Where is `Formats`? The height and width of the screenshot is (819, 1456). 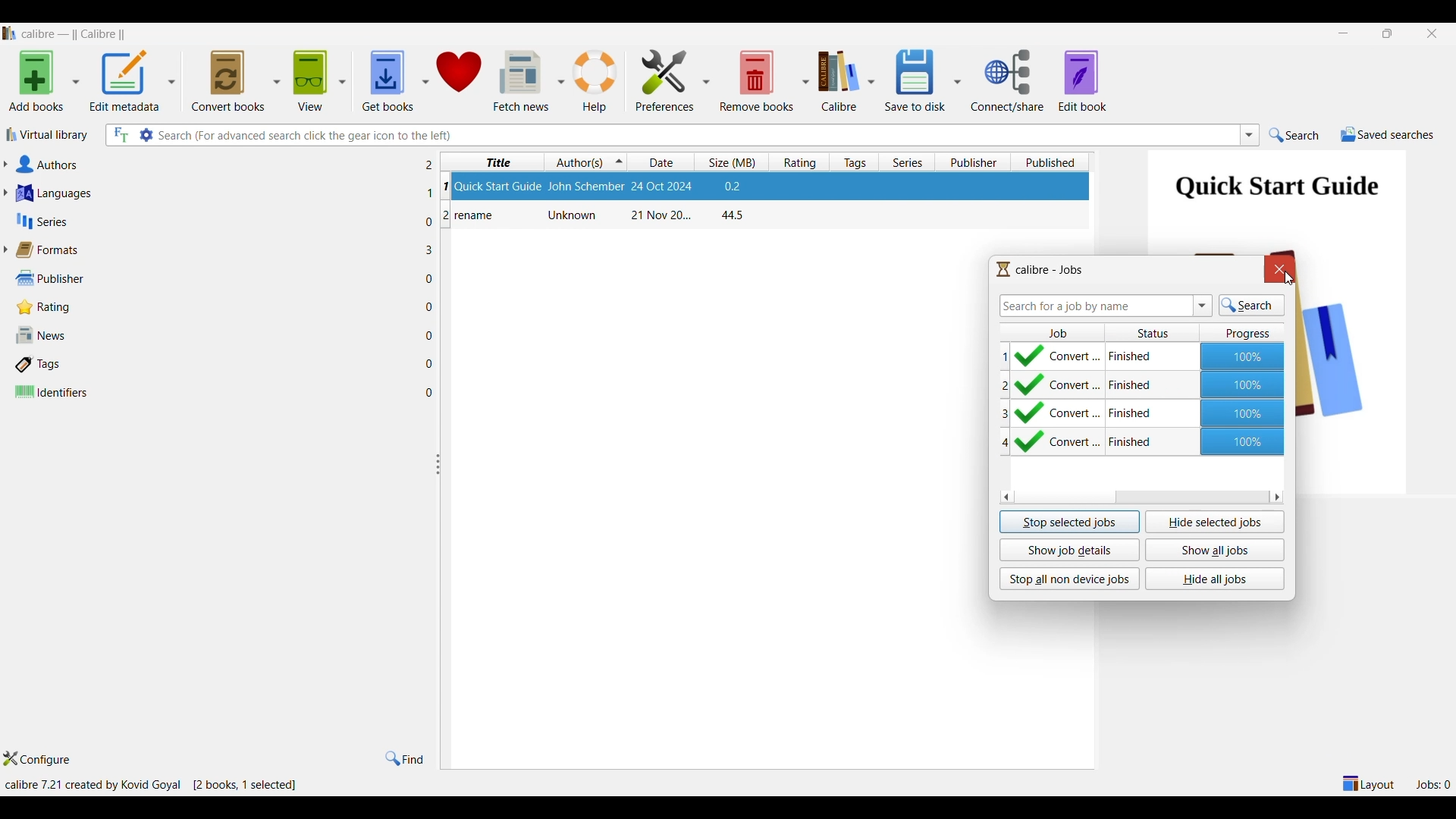 Formats is located at coordinates (214, 250).